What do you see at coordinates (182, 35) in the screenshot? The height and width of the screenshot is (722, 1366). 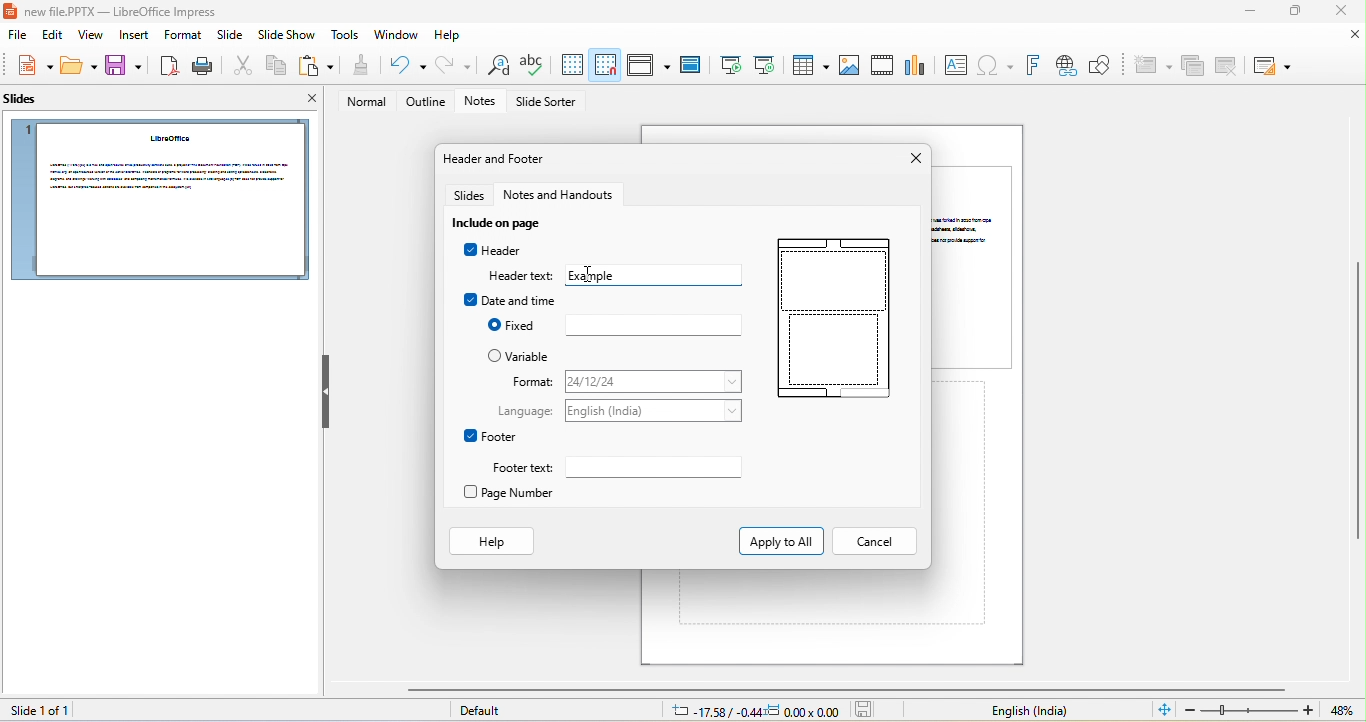 I see `format` at bounding box center [182, 35].